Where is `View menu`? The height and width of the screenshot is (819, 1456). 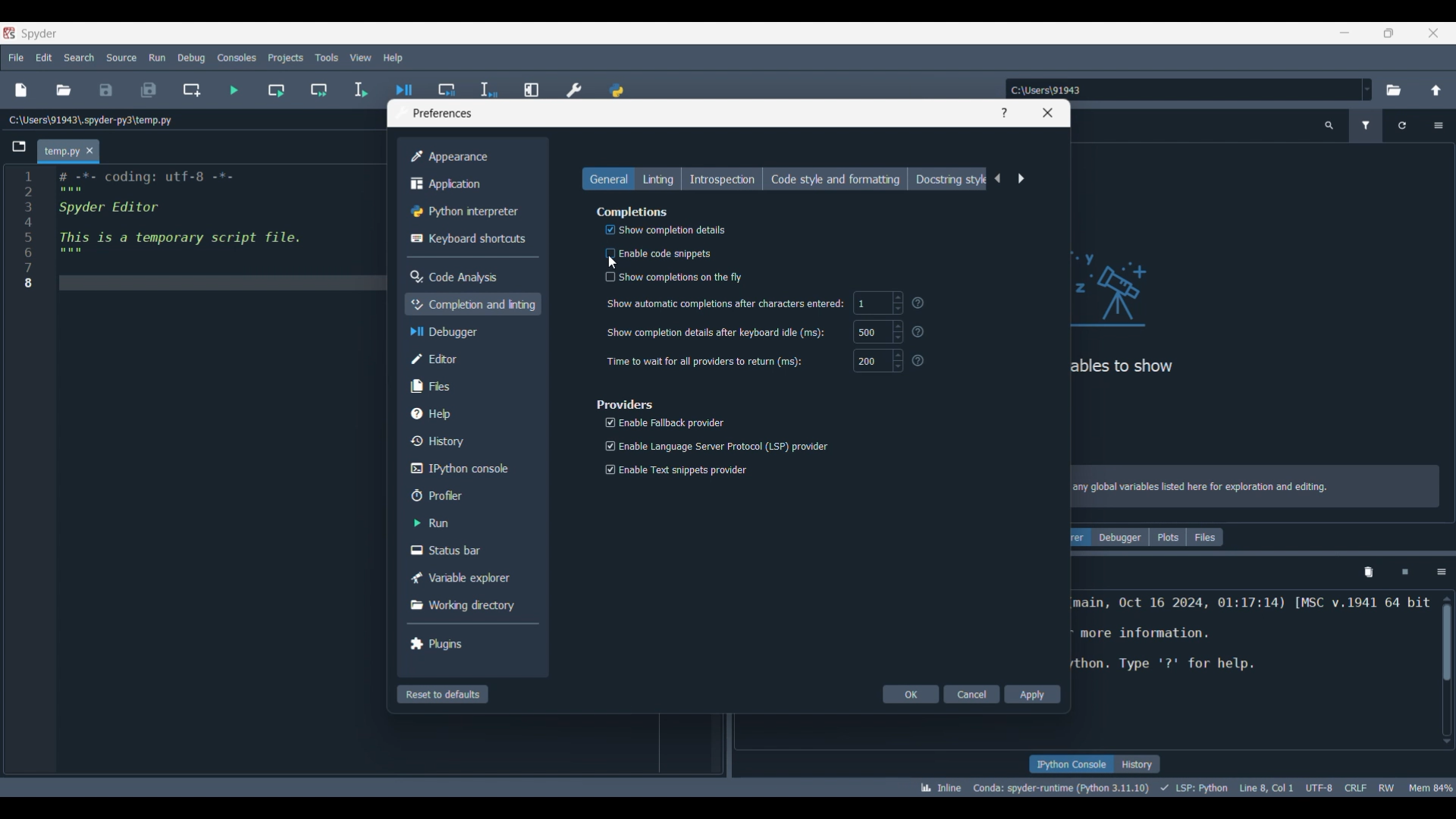 View menu is located at coordinates (361, 58).